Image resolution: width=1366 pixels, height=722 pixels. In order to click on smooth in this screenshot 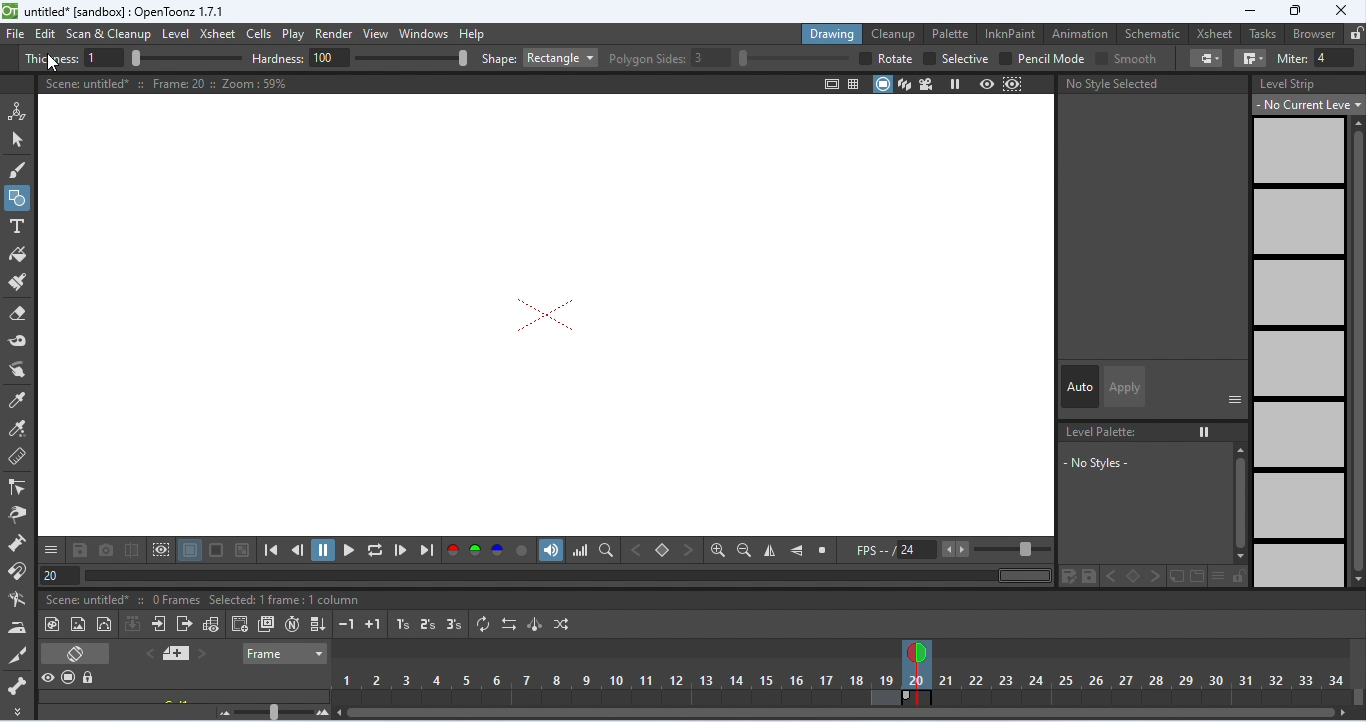, I will do `click(1123, 59)`.